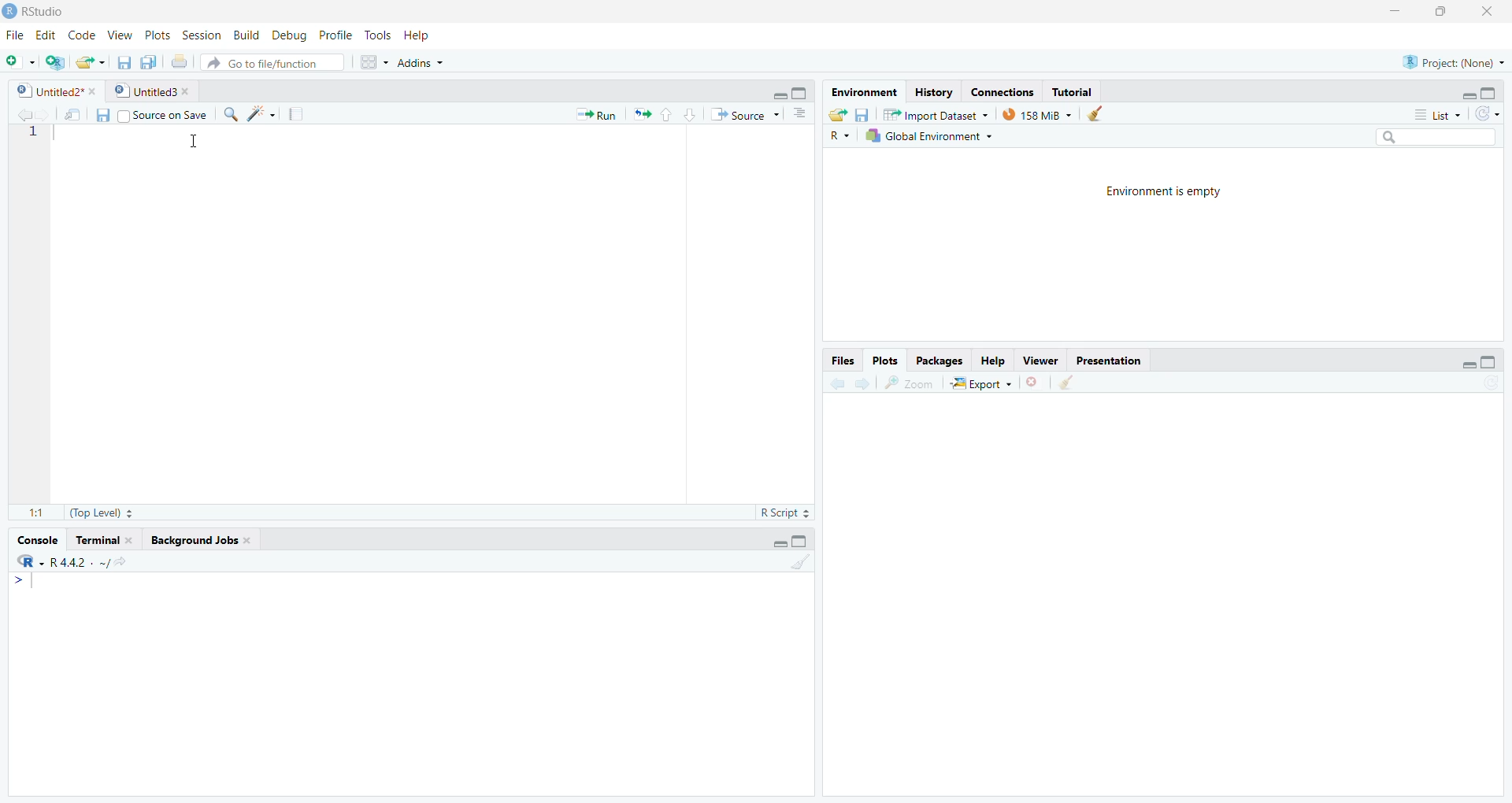 The height and width of the screenshot is (803, 1512). What do you see at coordinates (46, 32) in the screenshot?
I see `Edit` at bounding box center [46, 32].